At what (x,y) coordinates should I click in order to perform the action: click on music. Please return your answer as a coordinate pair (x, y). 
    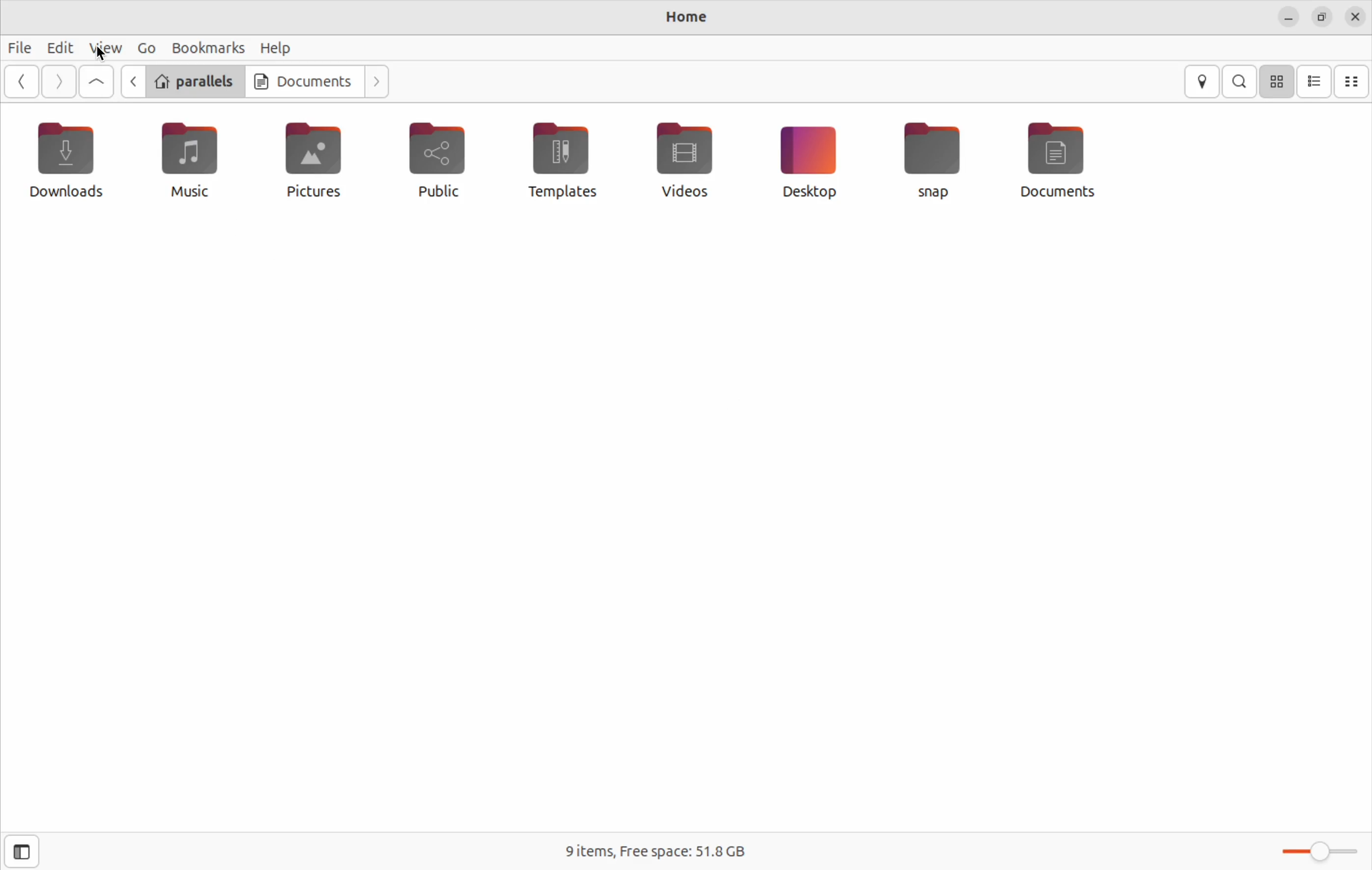
    Looking at the image, I should click on (191, 161).